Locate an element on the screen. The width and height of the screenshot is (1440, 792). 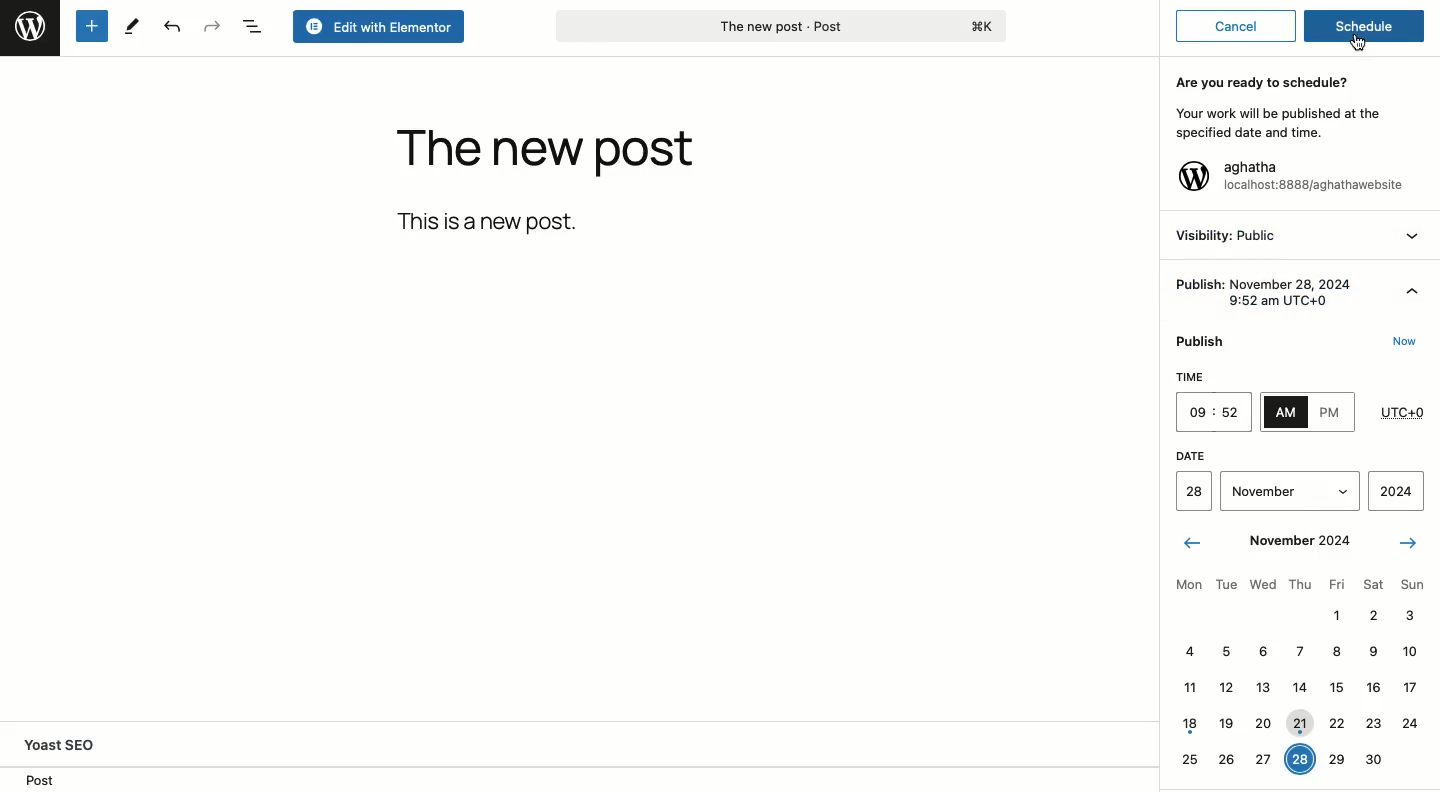
Now is located at coordinates (1408, 342).